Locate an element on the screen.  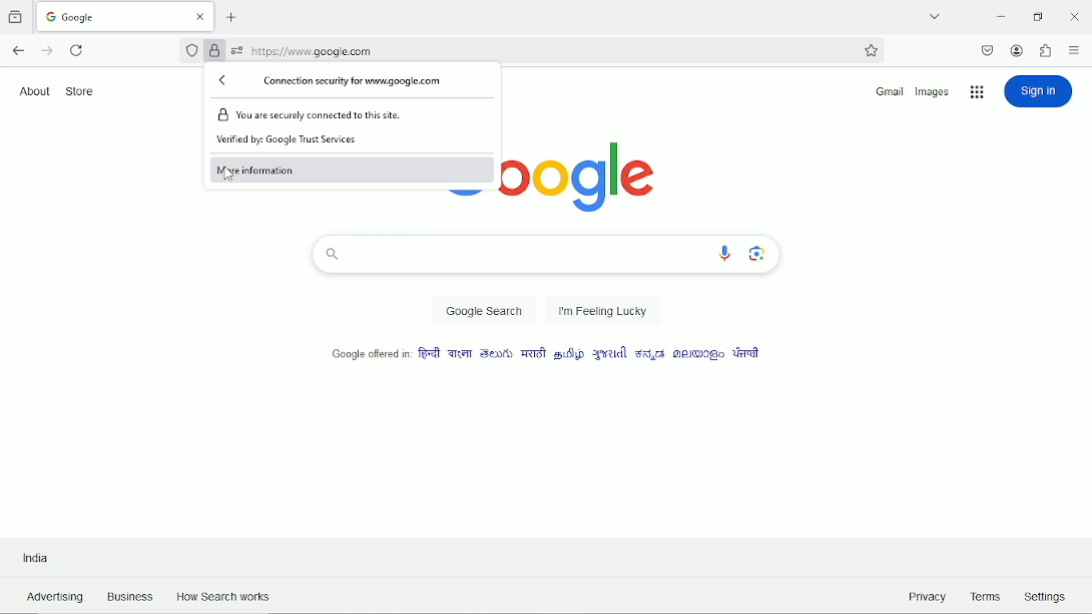
Go back is located at coordinates (18, 50).